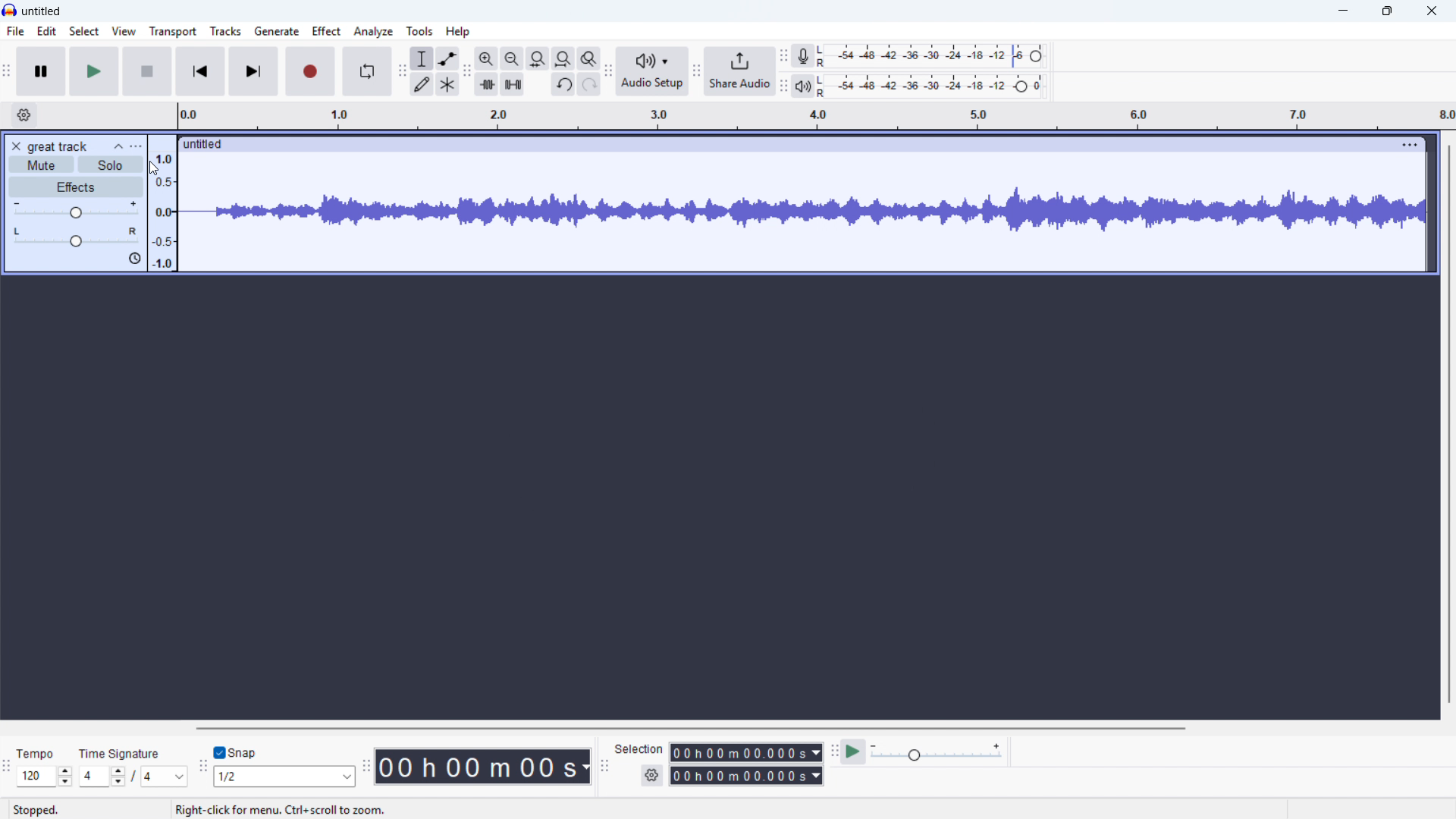  Describe the element at coordinates (422, 84) in the screenshot. I see `Draw tool ` at that location.